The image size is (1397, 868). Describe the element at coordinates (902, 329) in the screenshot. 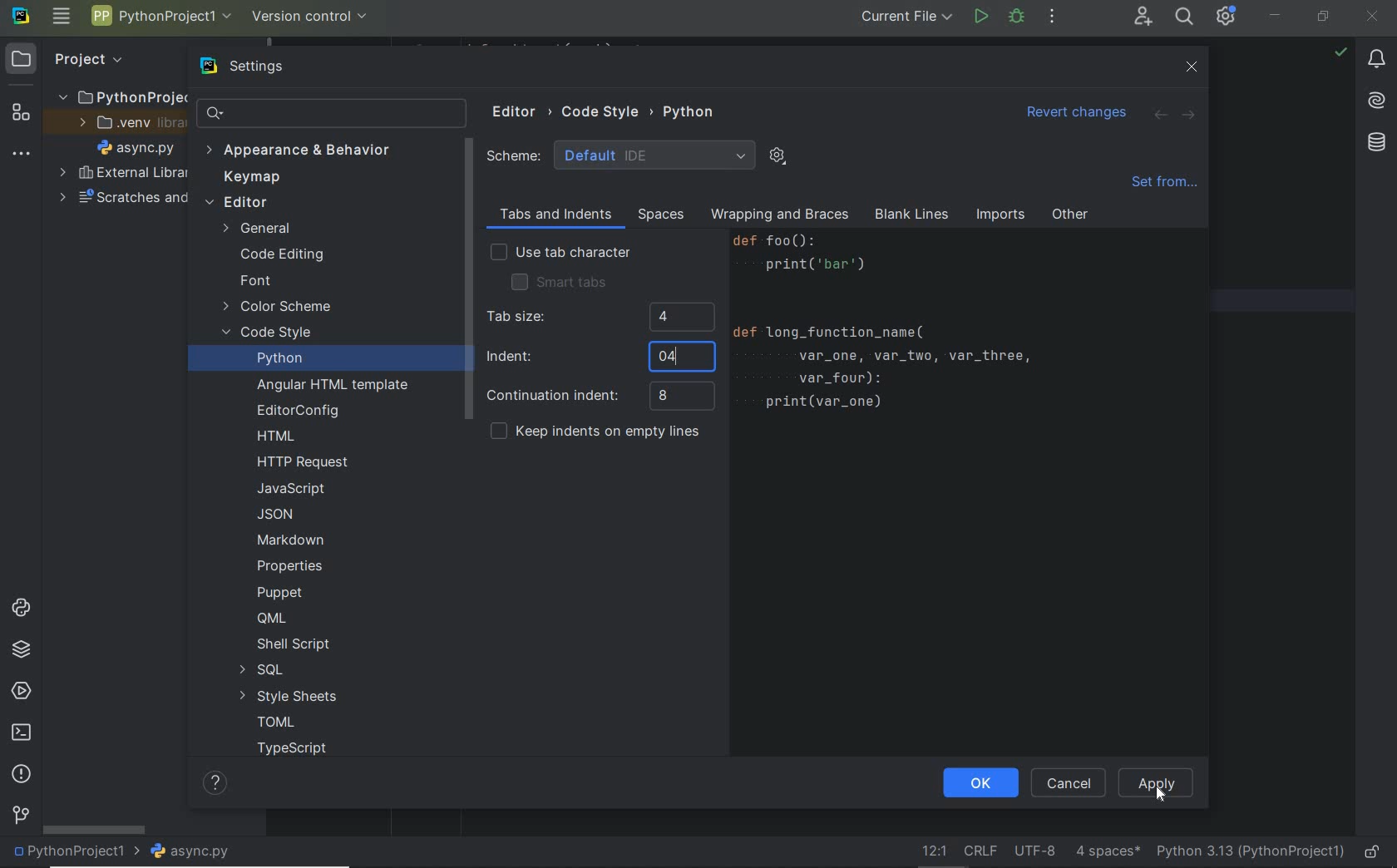

I see `Code to Print var_one` at that location.